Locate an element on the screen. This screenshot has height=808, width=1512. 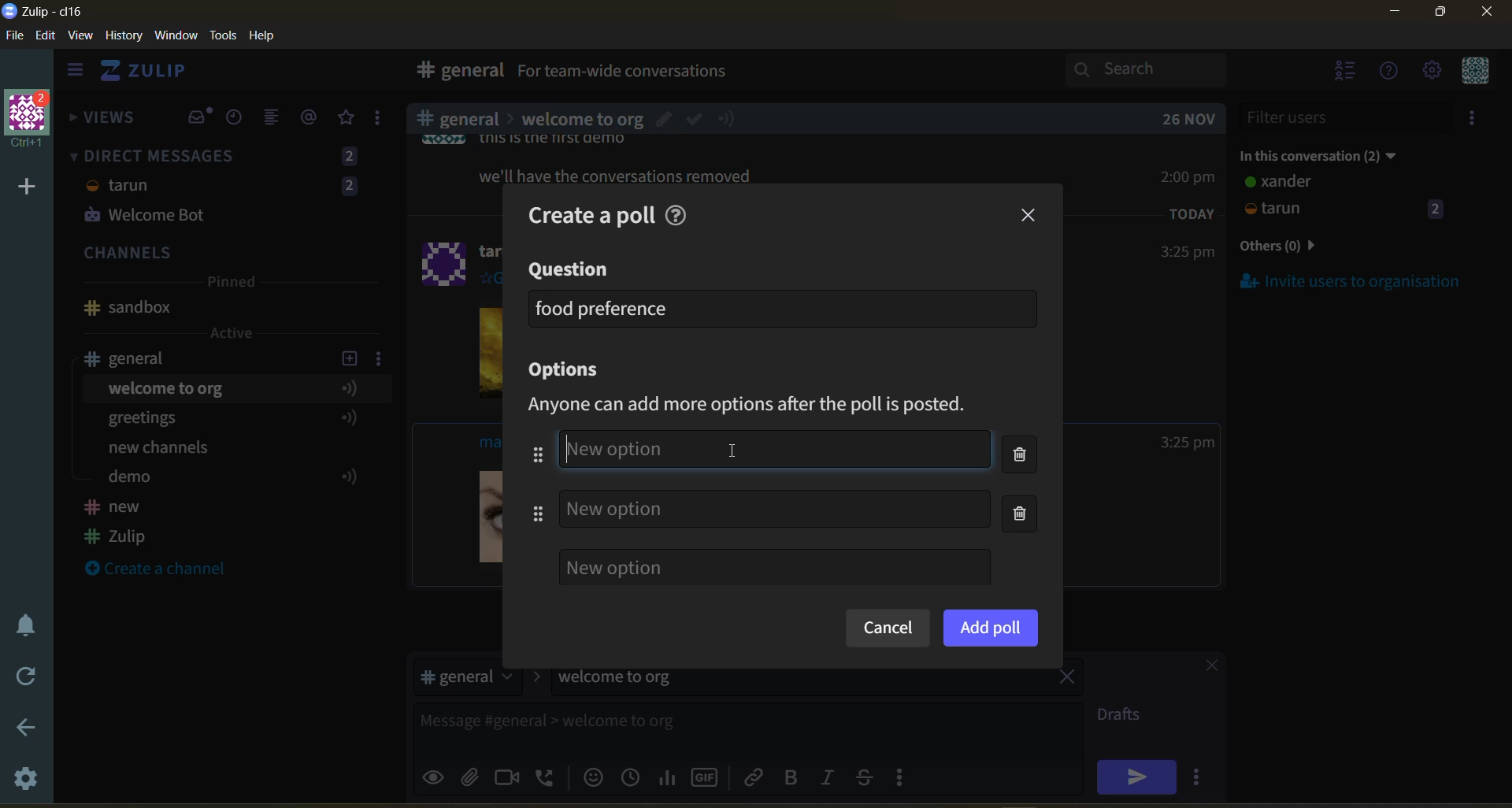
hide user list is located at coordinates (1346, 72).